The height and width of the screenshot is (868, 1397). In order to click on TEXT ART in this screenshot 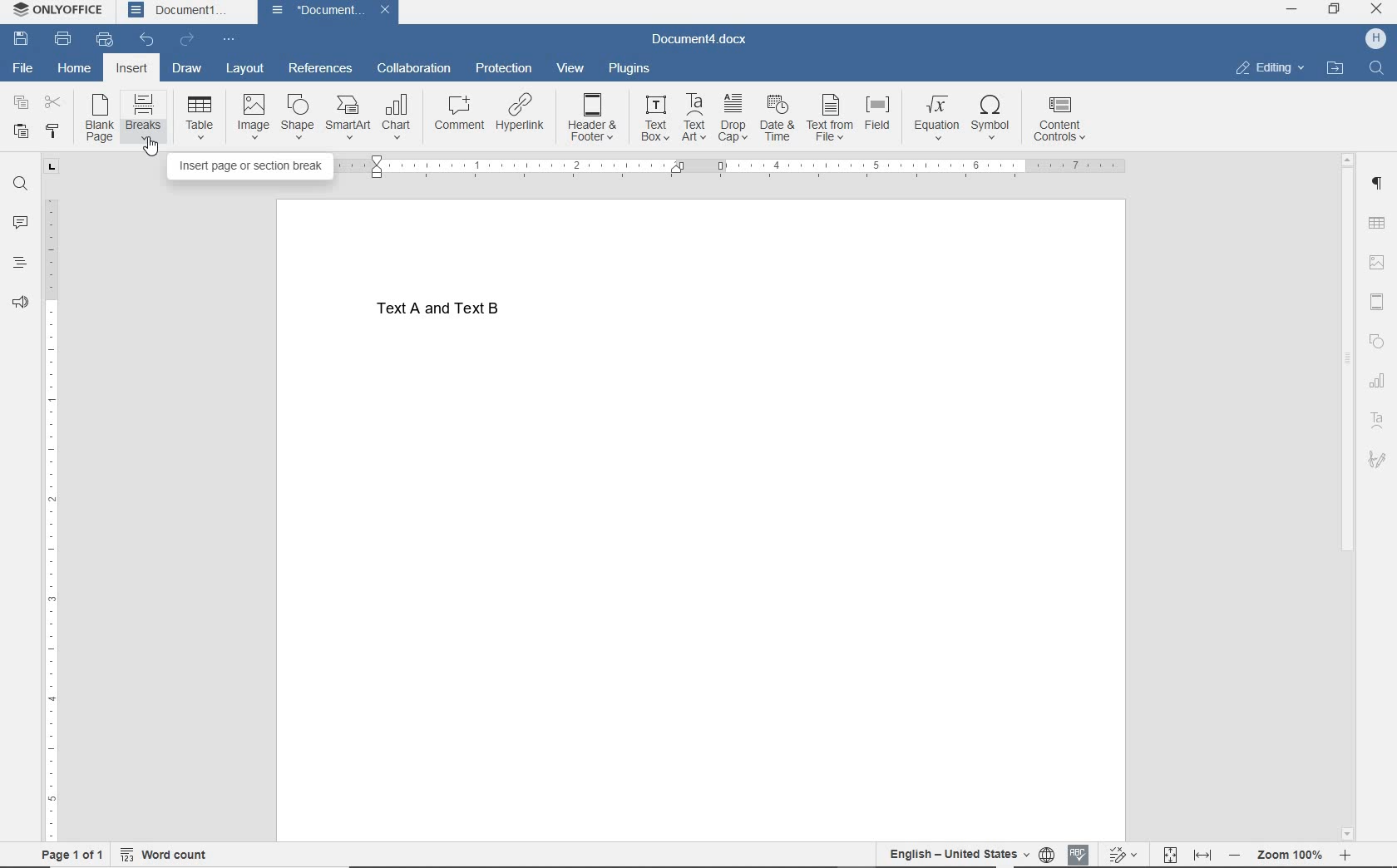, I will do `click(1377, 419)`.